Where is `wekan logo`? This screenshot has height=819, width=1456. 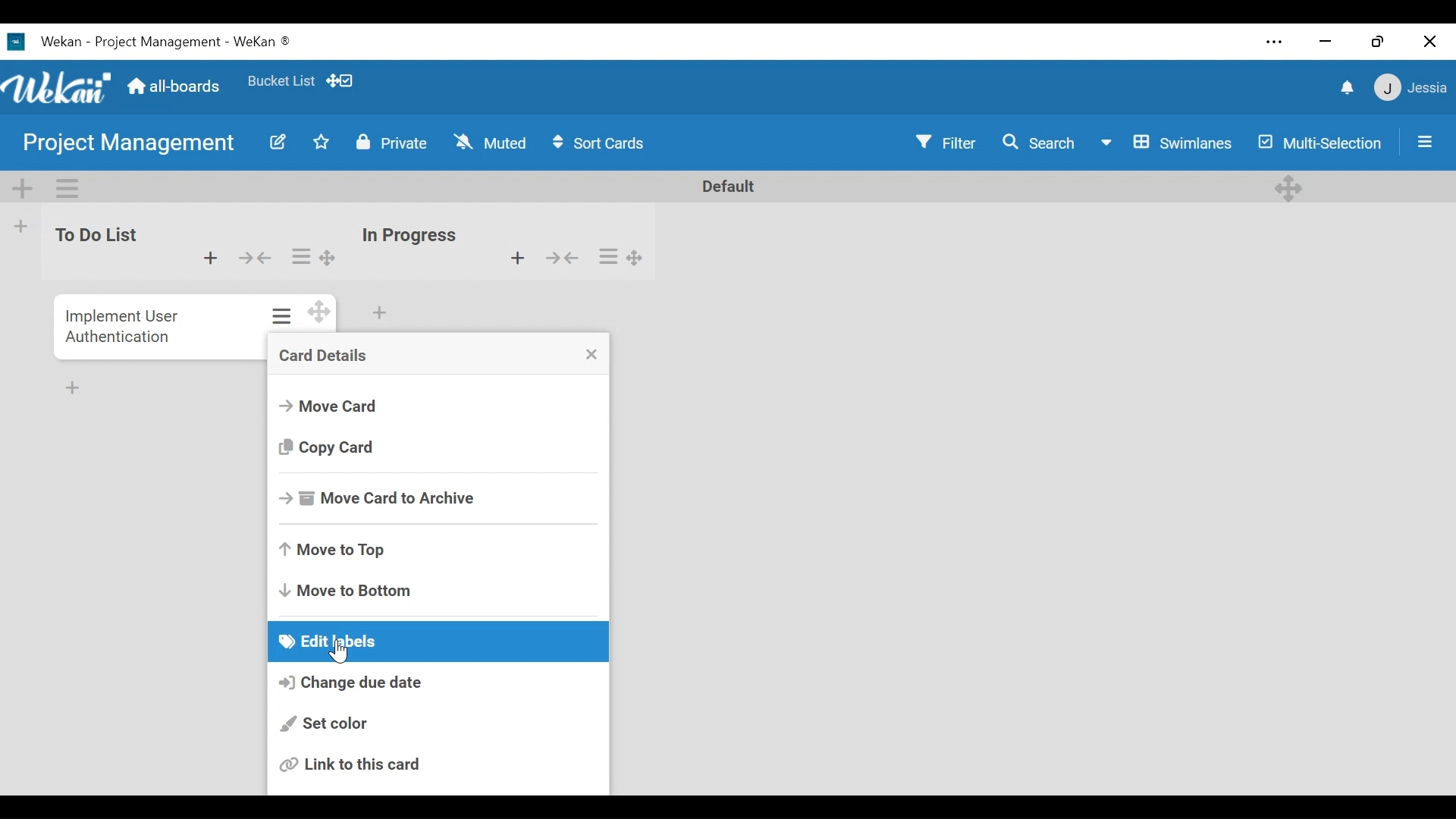
wekan logo is located at coordinates (14, 42).